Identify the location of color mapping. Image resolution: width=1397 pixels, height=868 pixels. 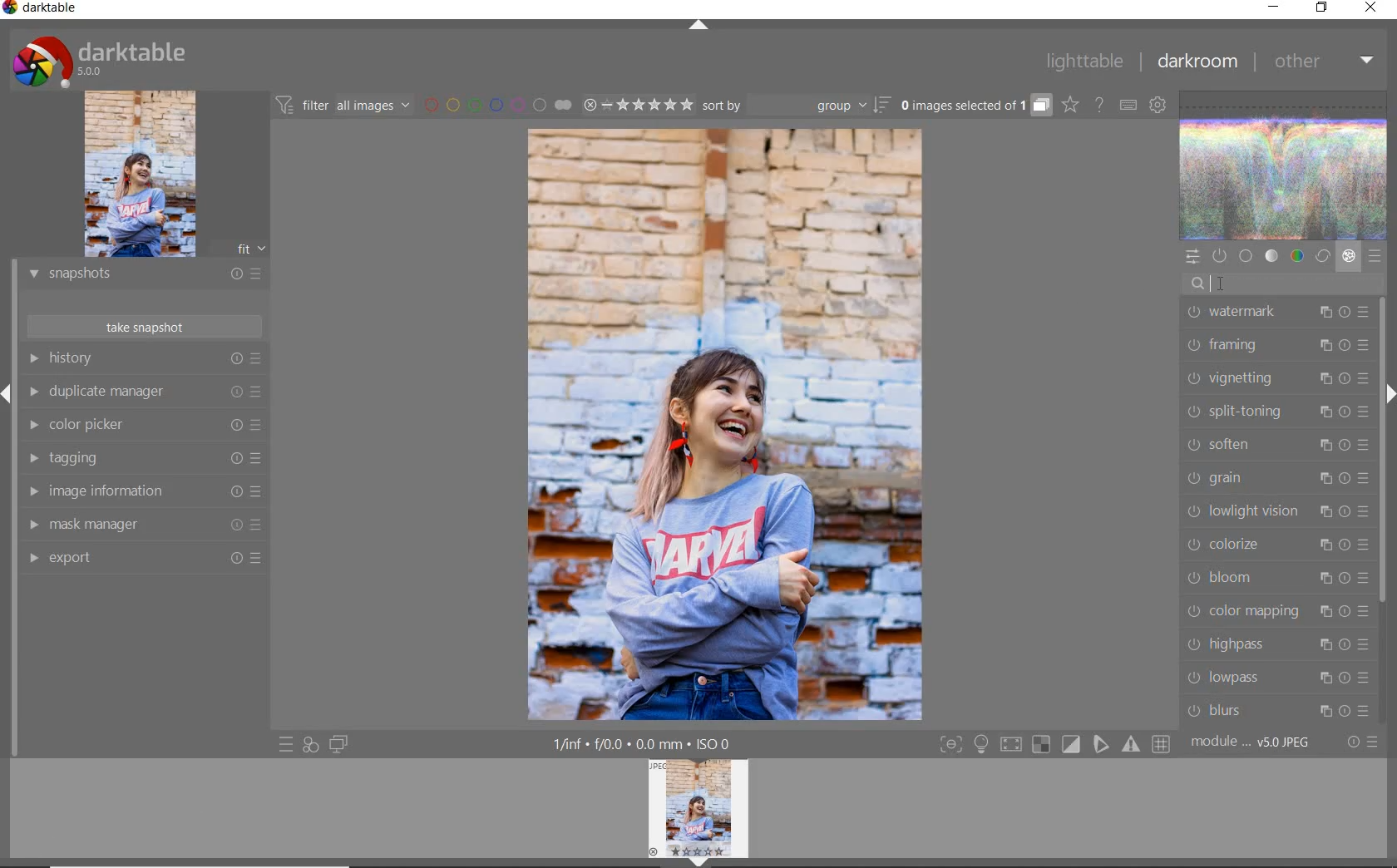
(1276, 613).